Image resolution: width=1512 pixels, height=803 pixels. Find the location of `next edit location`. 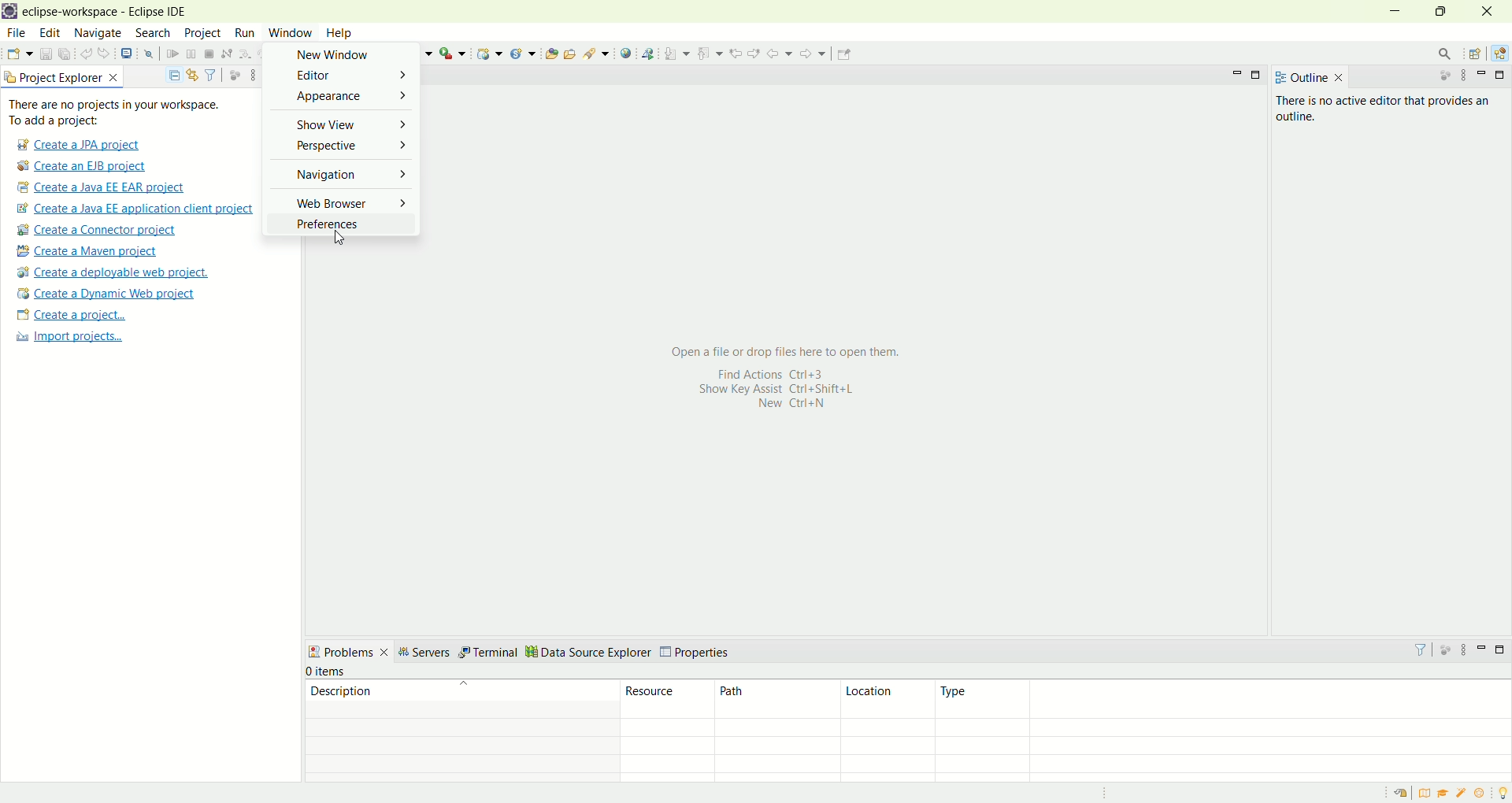

next edit location is located at coordinates (756, 52).